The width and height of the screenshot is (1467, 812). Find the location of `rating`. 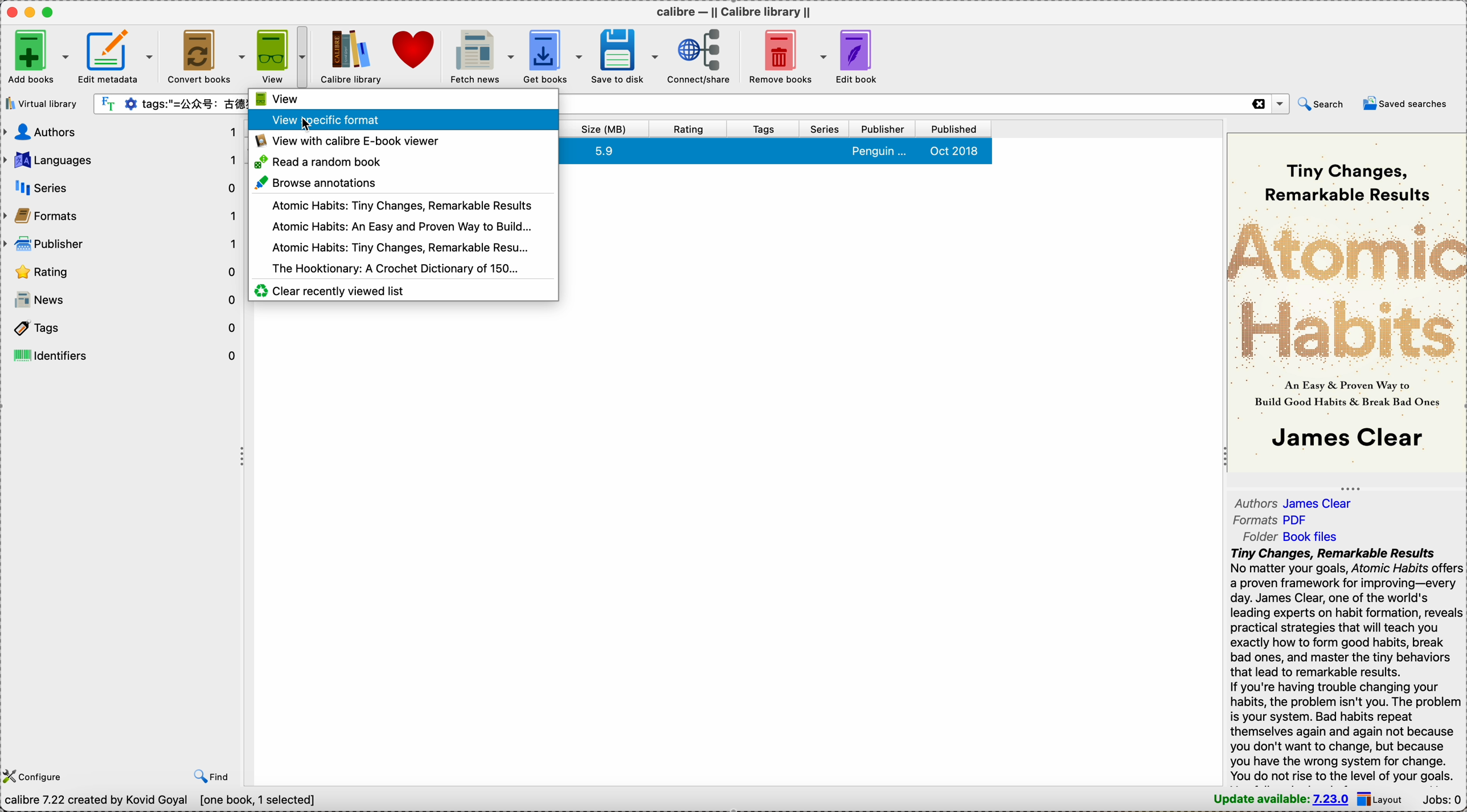

rating is located at coordinates (122, 270).